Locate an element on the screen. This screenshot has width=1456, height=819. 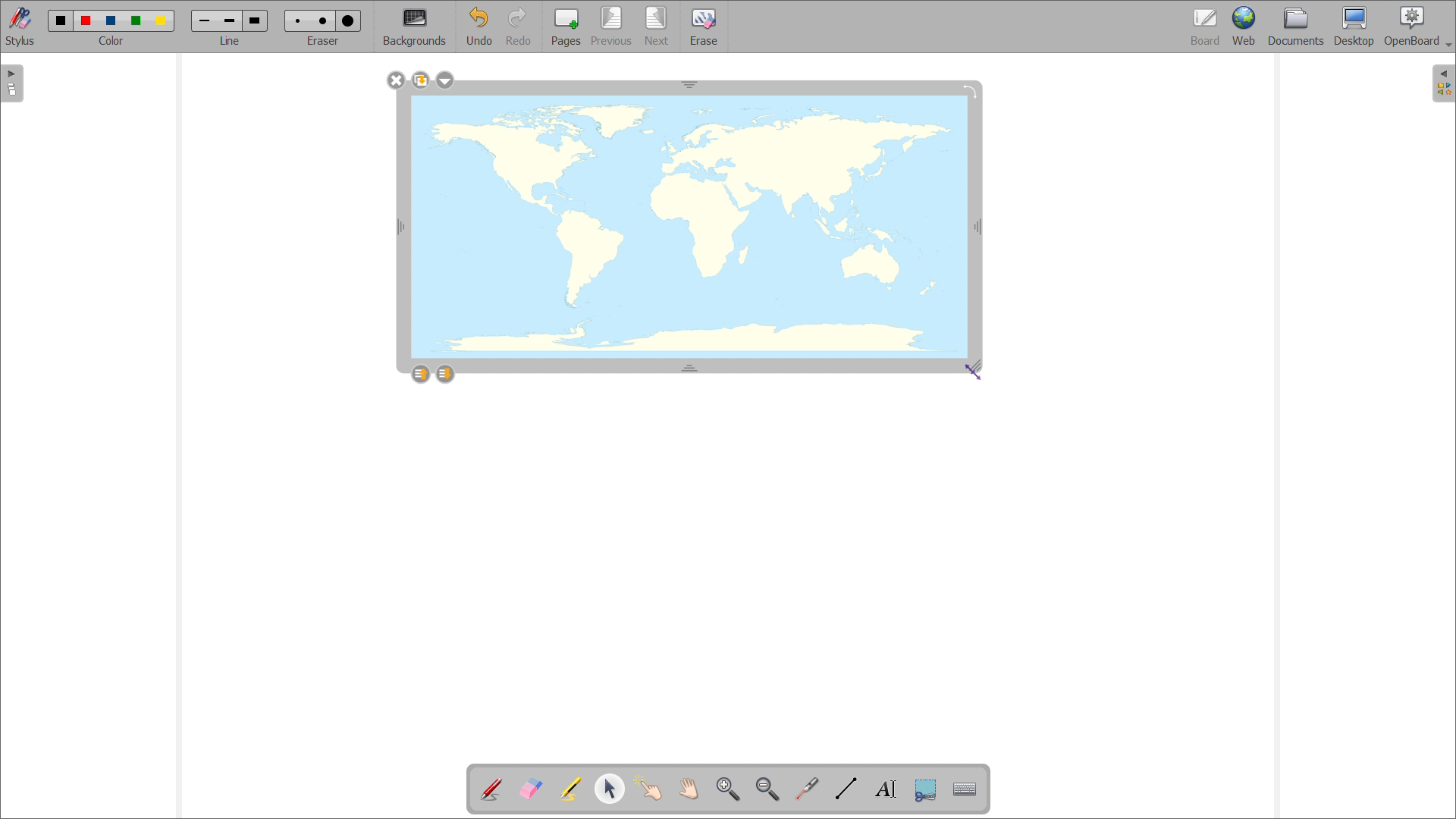
color is located at coordinates (114, 41).